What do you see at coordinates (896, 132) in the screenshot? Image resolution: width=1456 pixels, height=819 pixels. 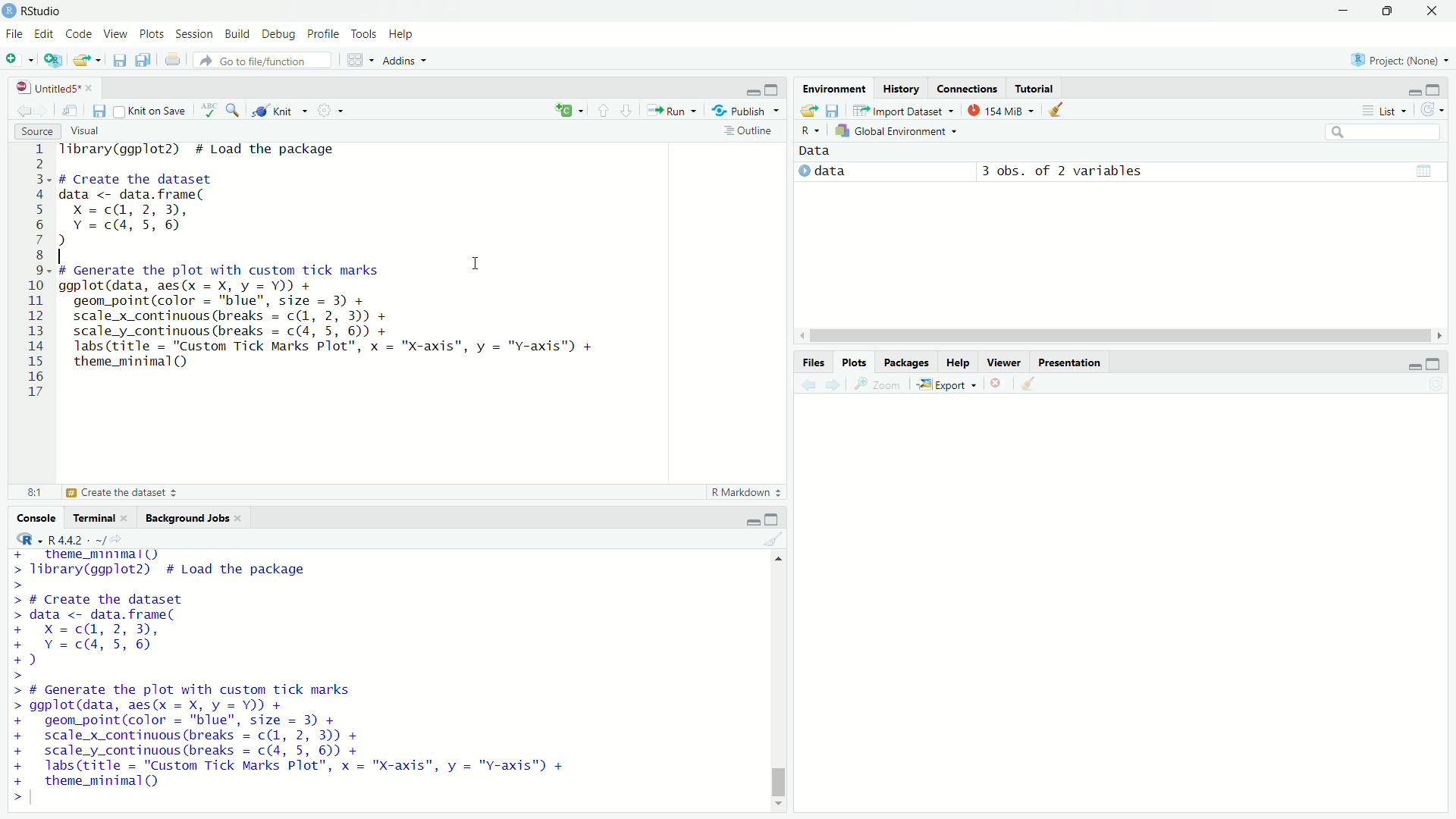 I see `global environment` at bounding box center [896, 132].